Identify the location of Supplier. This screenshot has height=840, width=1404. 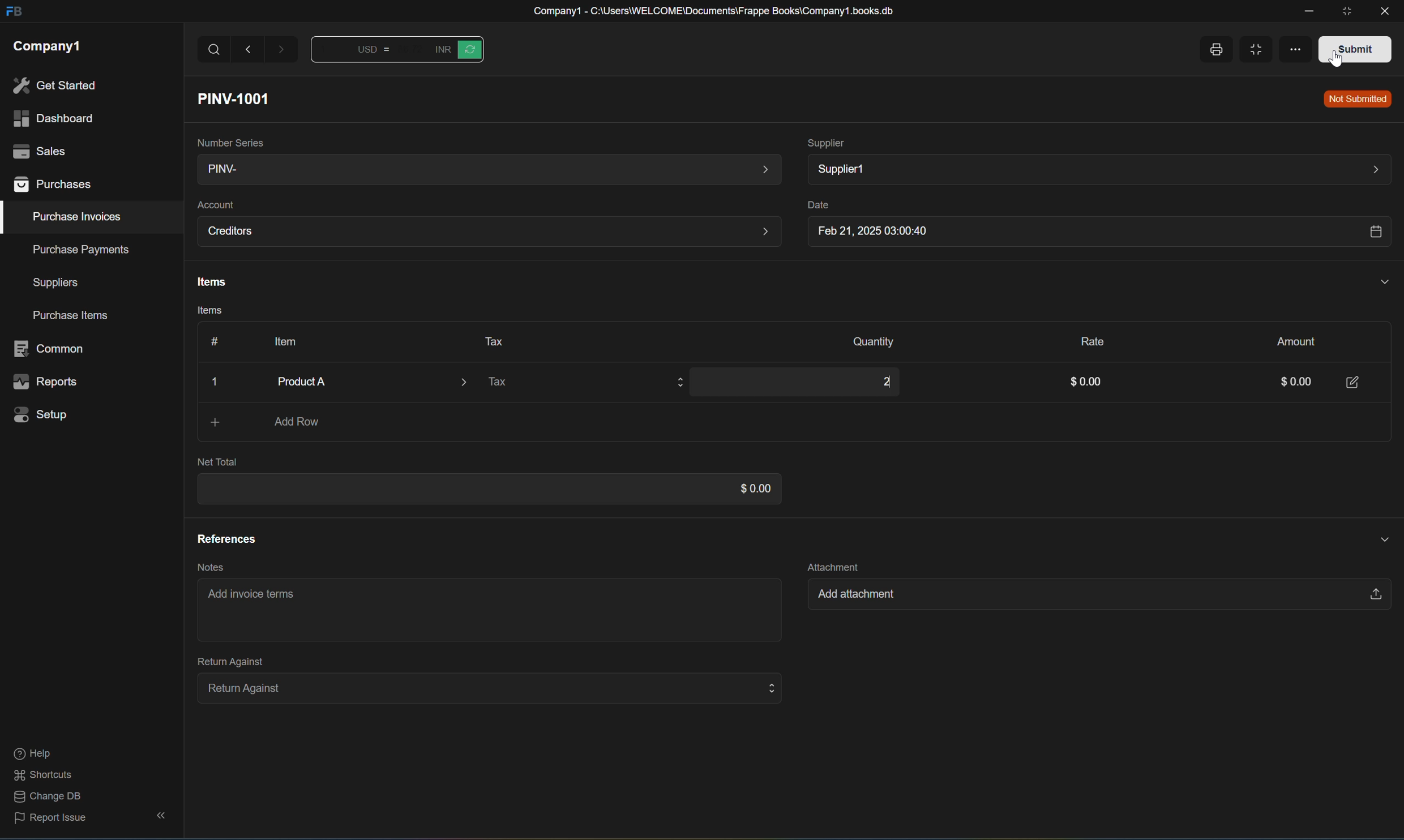
(827, 142).